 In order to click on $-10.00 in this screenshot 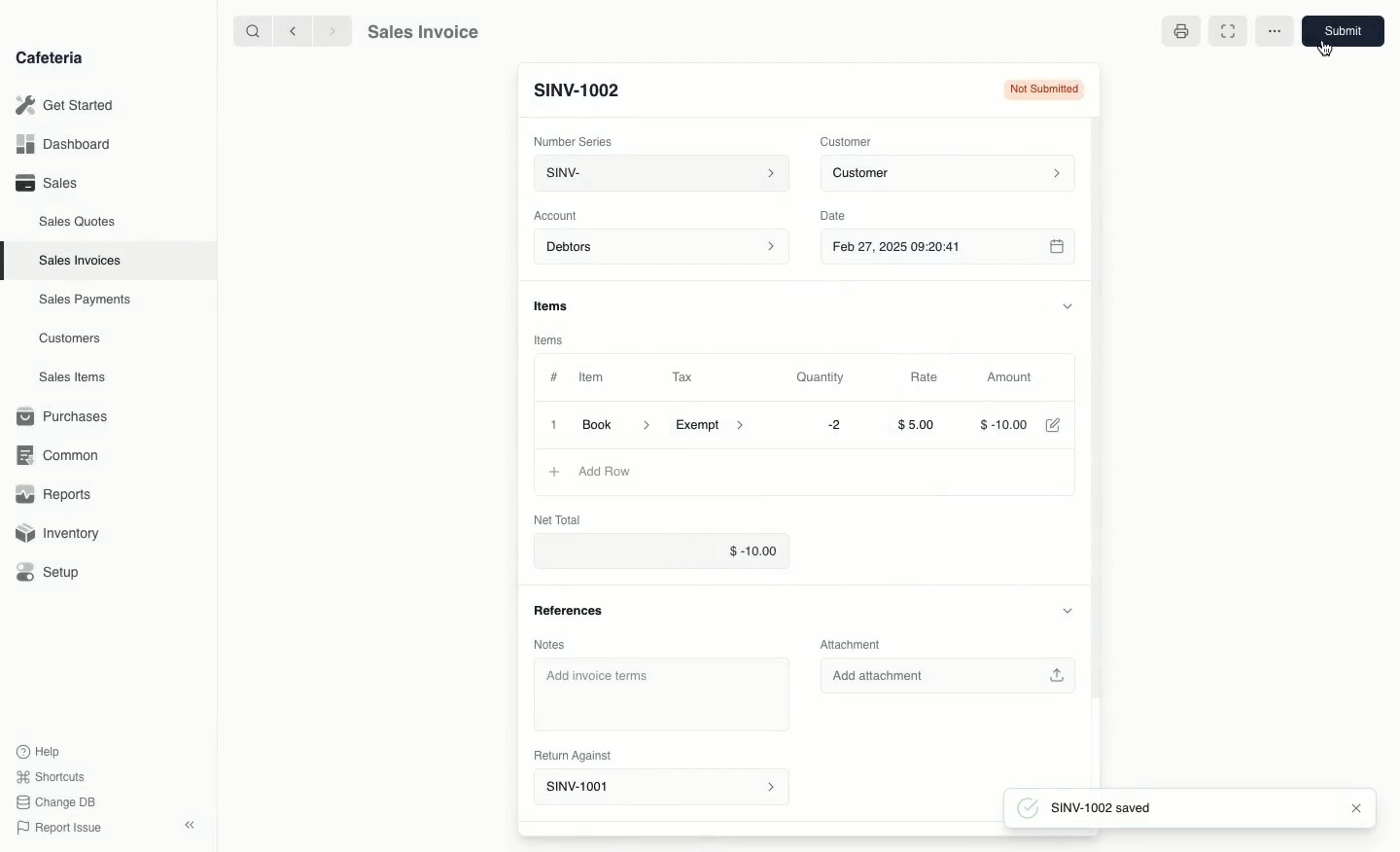, I will do `click(1004, 424)`.